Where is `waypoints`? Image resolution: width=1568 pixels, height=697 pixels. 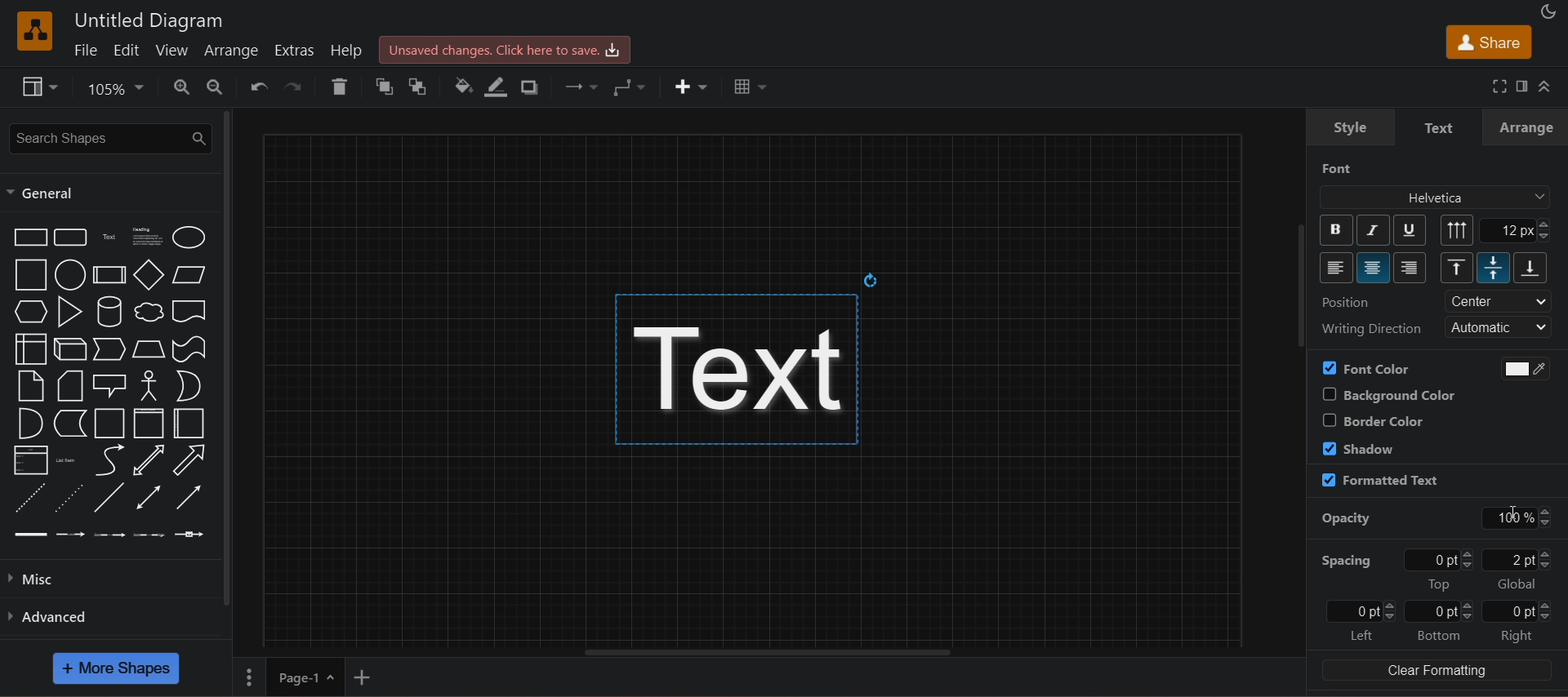 waypoints is located at coordinates (632, 87).